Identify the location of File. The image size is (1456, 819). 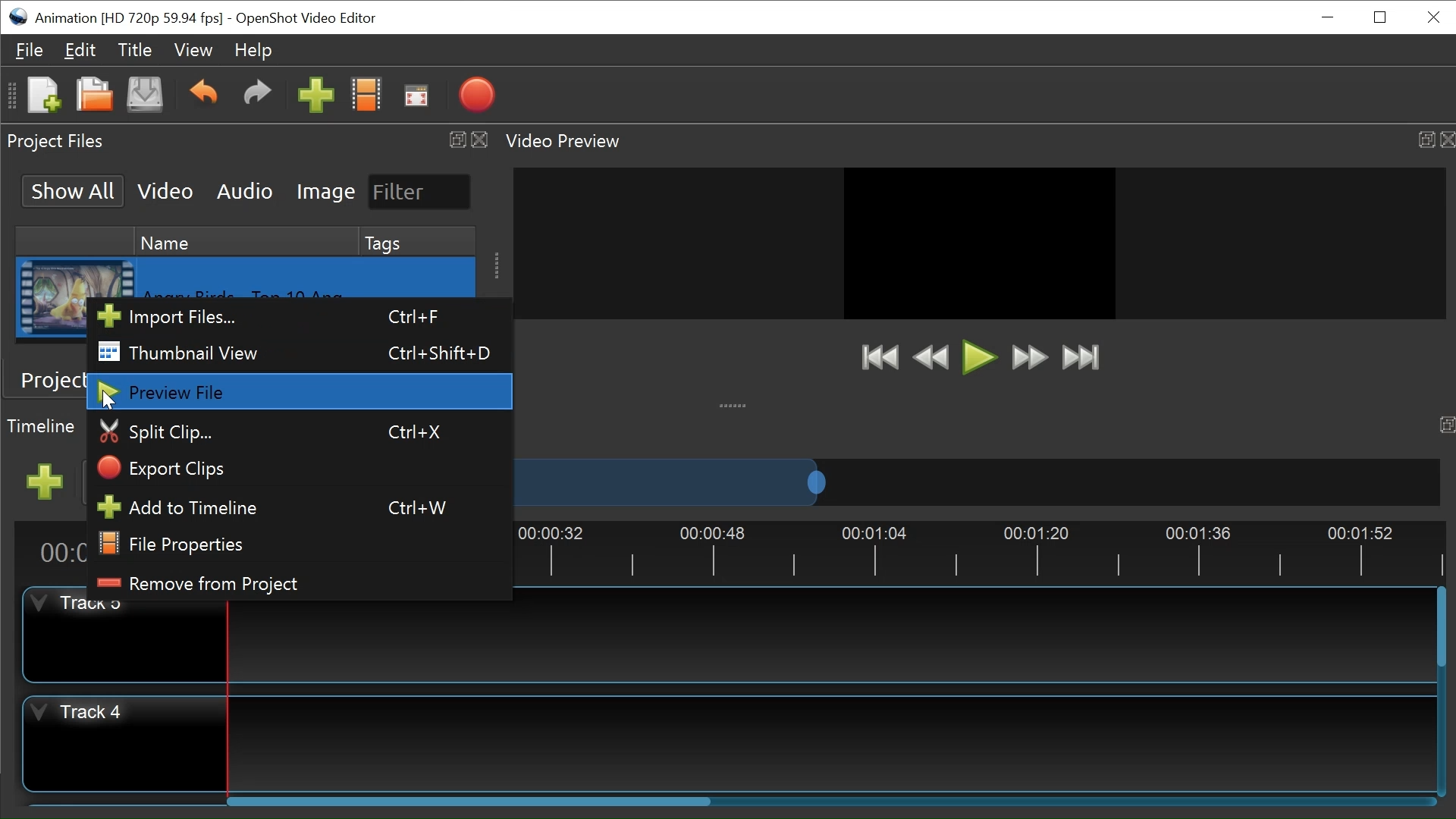
(30, 50).